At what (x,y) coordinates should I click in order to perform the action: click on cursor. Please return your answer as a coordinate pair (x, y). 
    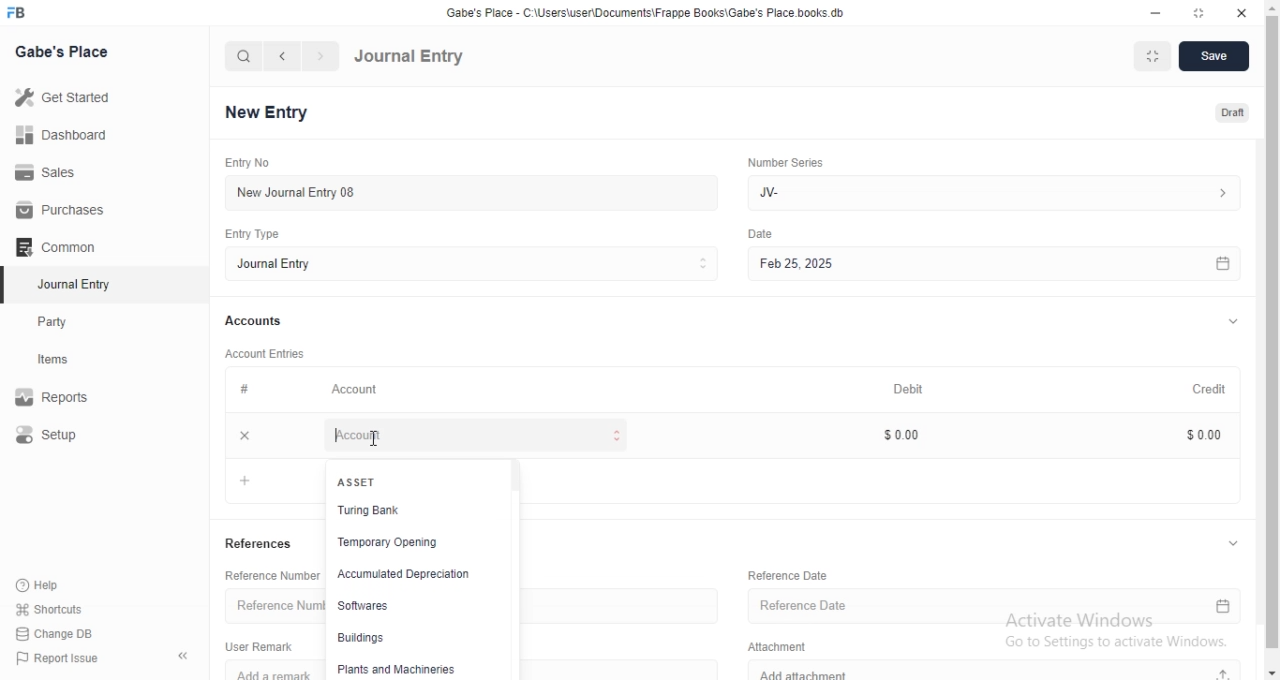
    Looking at the image, I should click on (378, 440).